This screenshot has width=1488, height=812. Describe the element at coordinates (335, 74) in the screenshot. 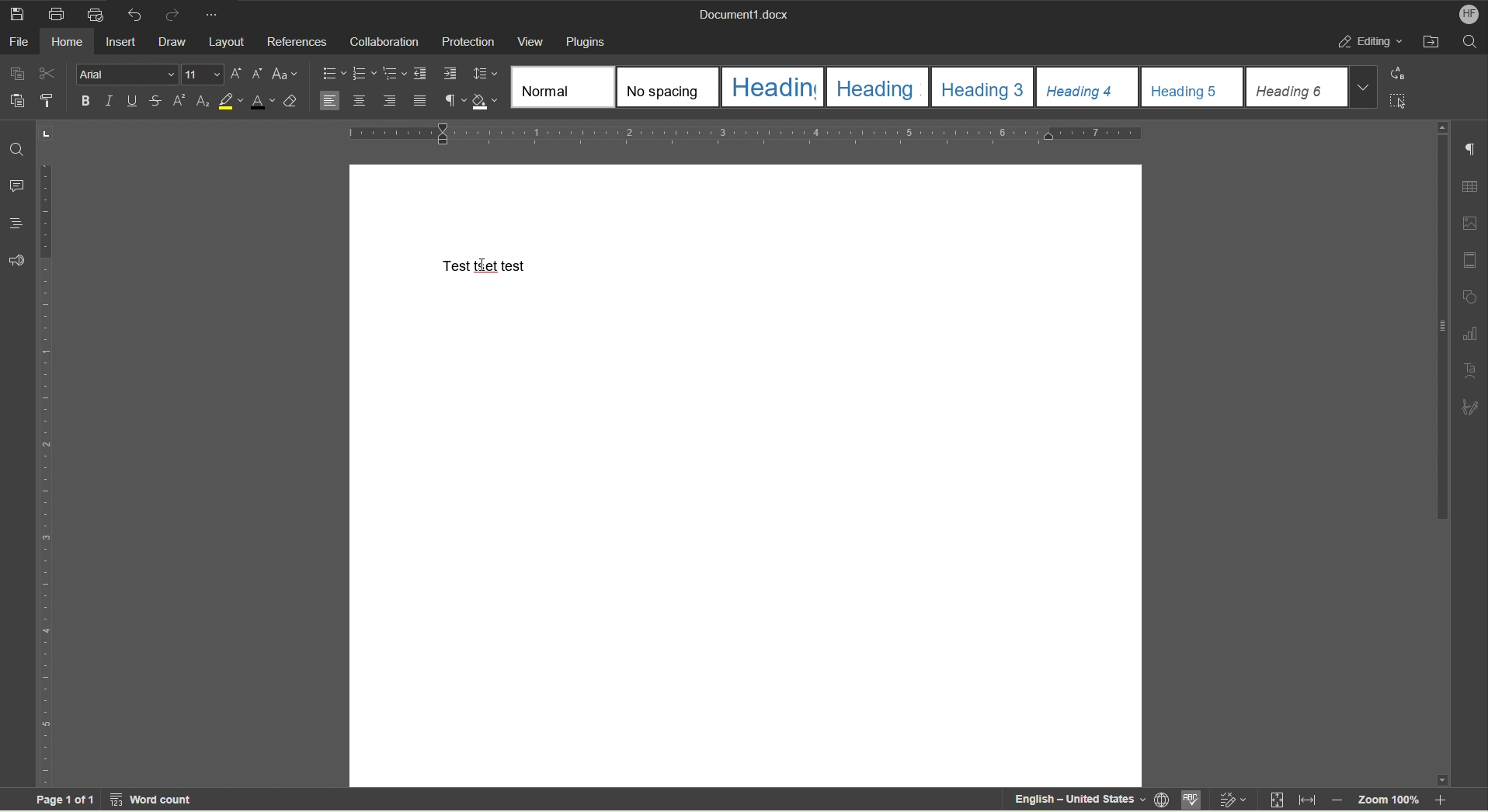

I see `Bullet List` at that location.